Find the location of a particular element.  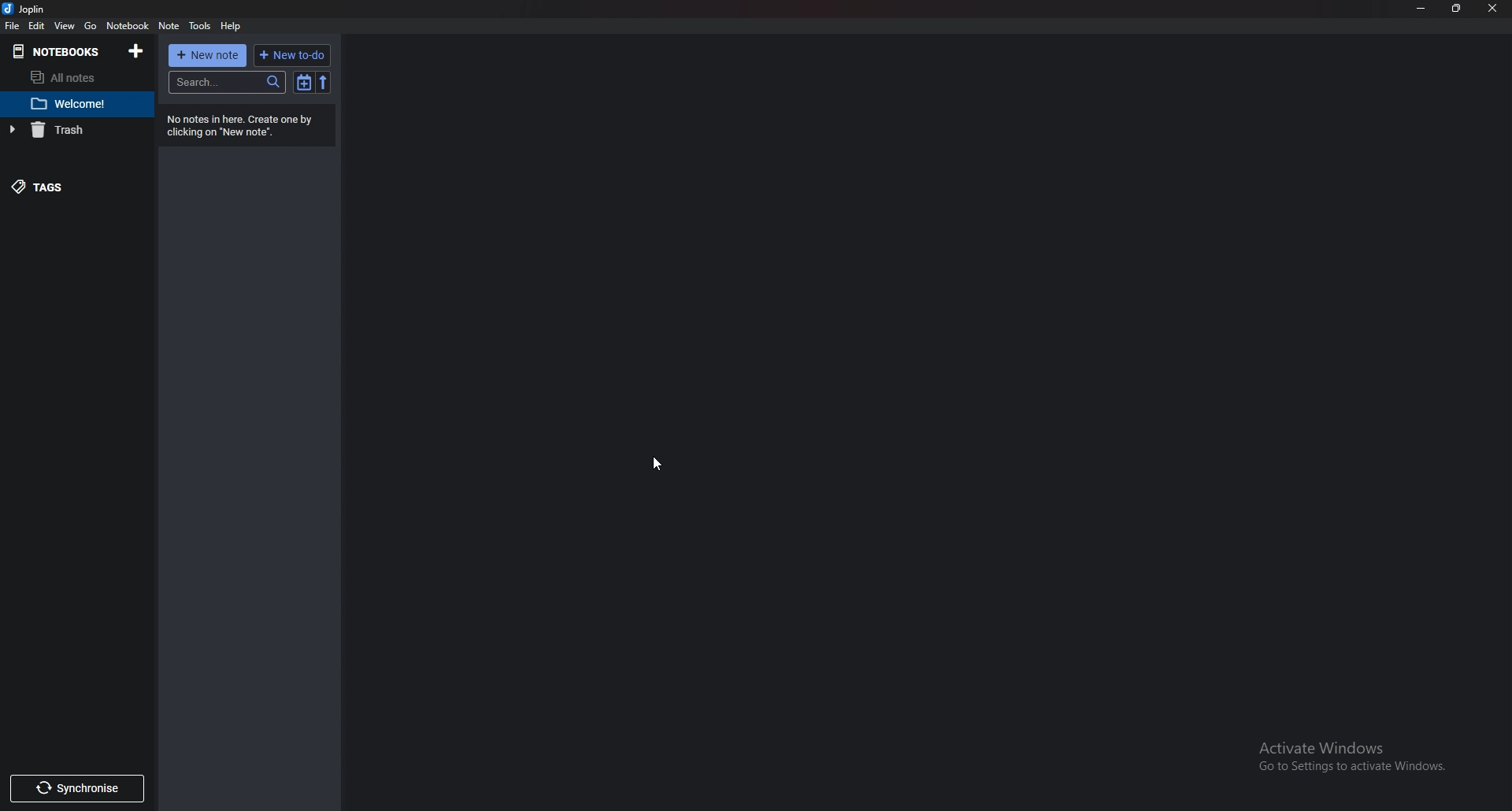

All notes is located at coordinates (78, 77).